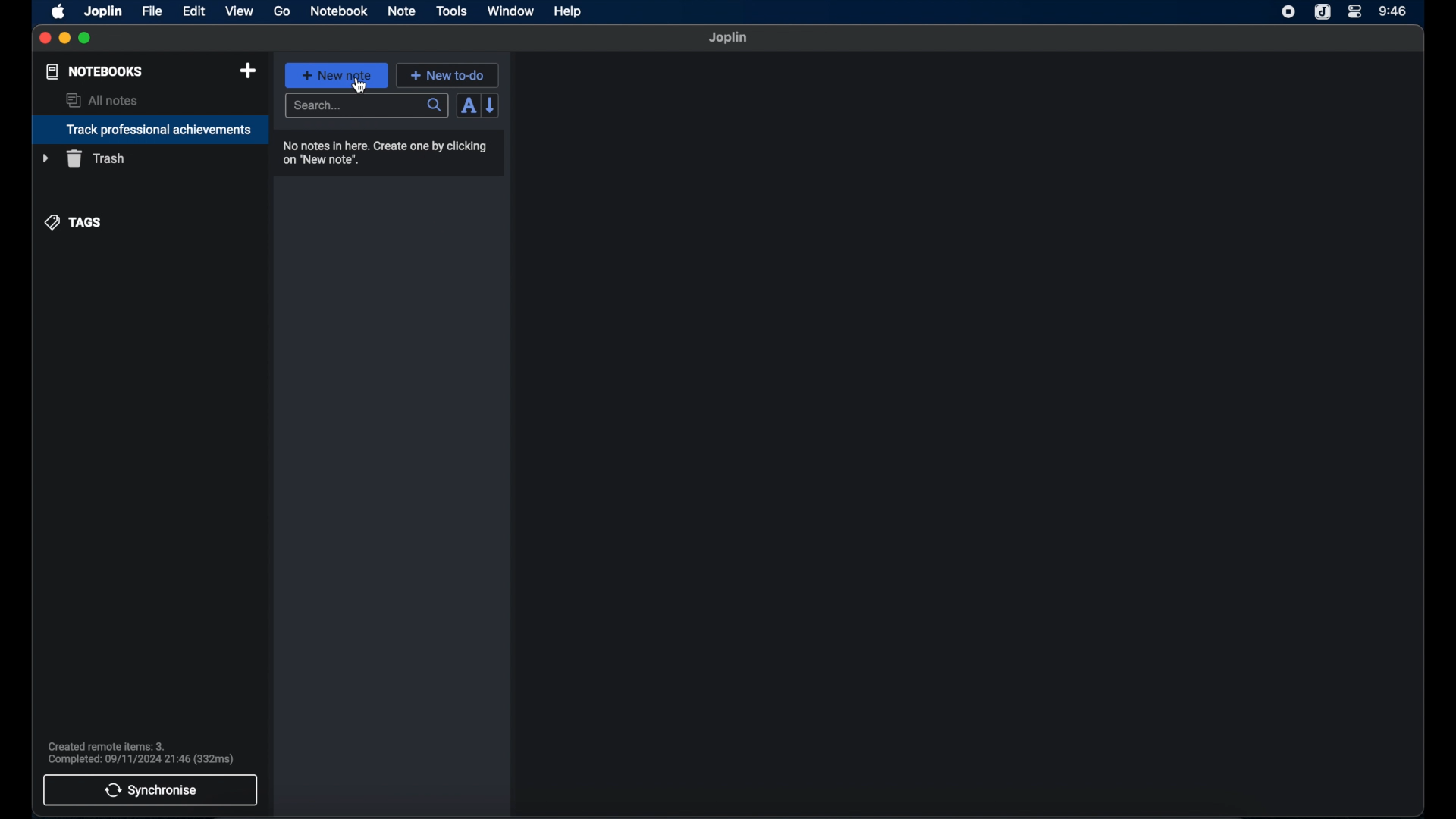  What do you see at coordinates (339, 11) in the screenshot?
I see `notebook` at bounding box center [339, 11].